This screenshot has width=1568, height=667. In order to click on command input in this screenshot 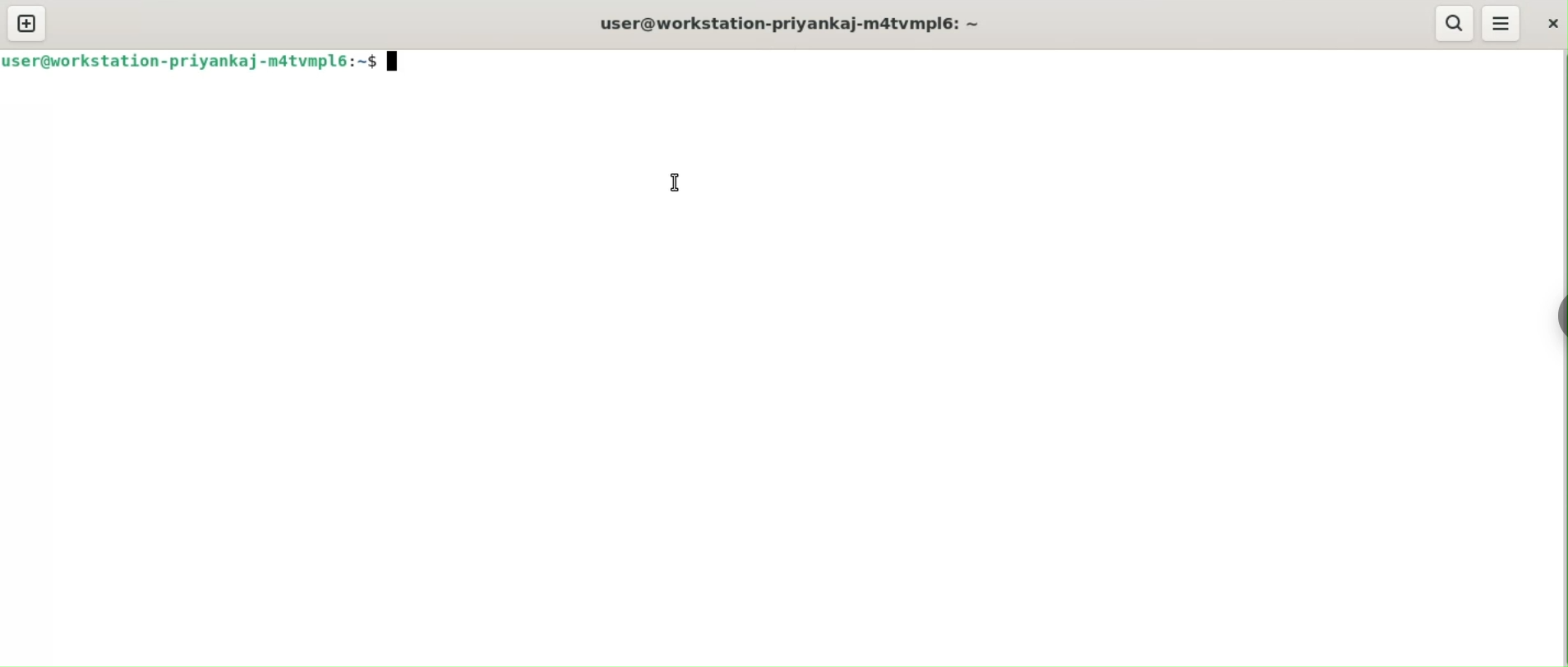, I will do `click(986, 65)`.